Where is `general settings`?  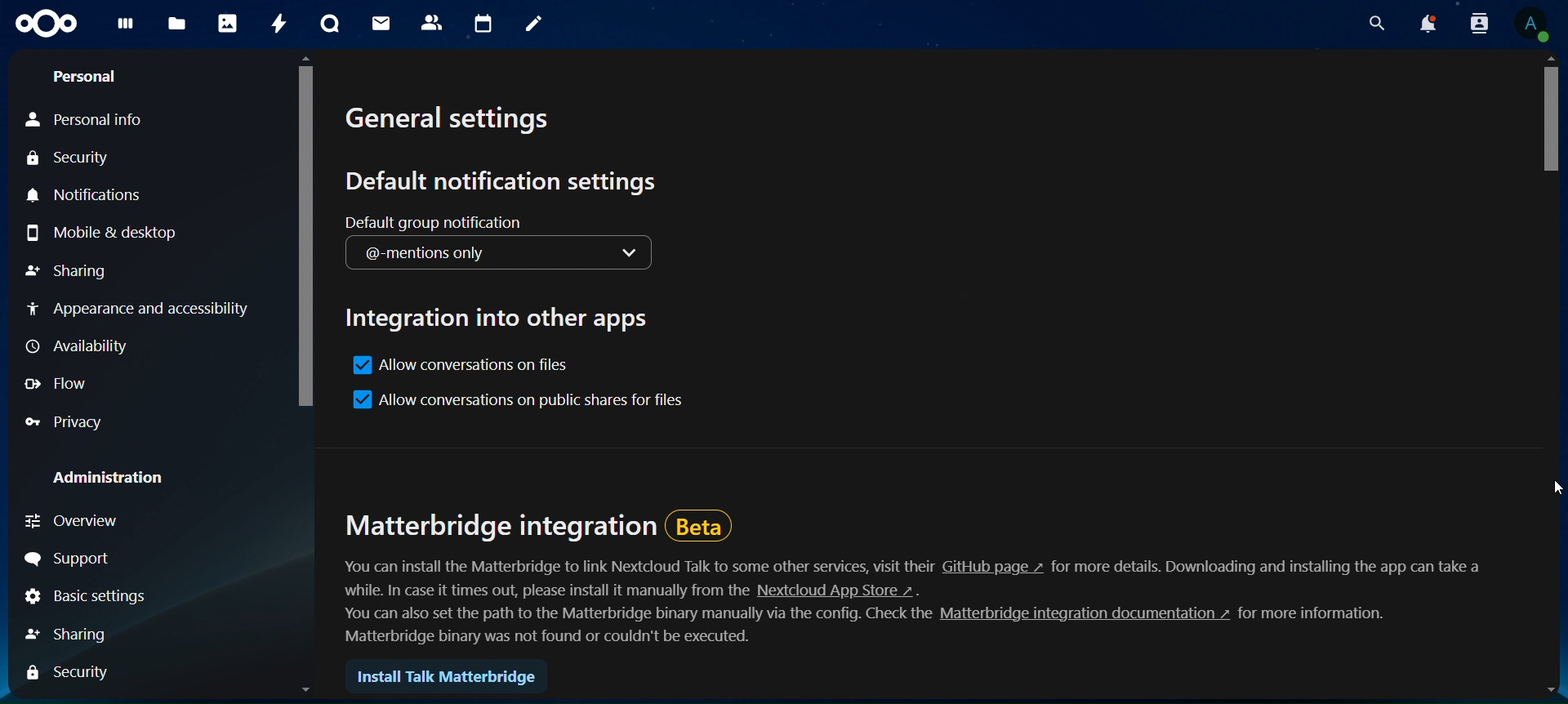 general settings is located at coordinates (449, 124).